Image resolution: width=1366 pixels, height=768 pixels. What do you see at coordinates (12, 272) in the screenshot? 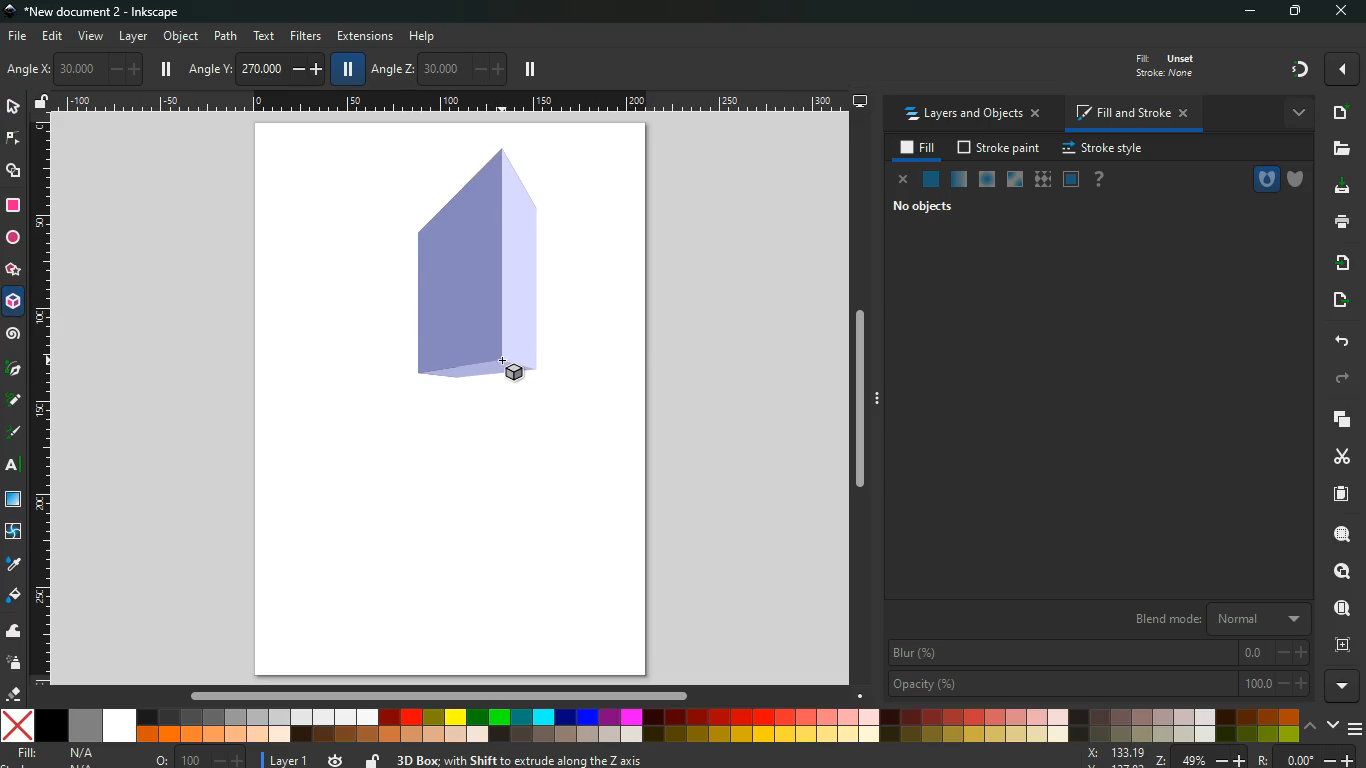
I see `star` at bounding box center [12, 272].